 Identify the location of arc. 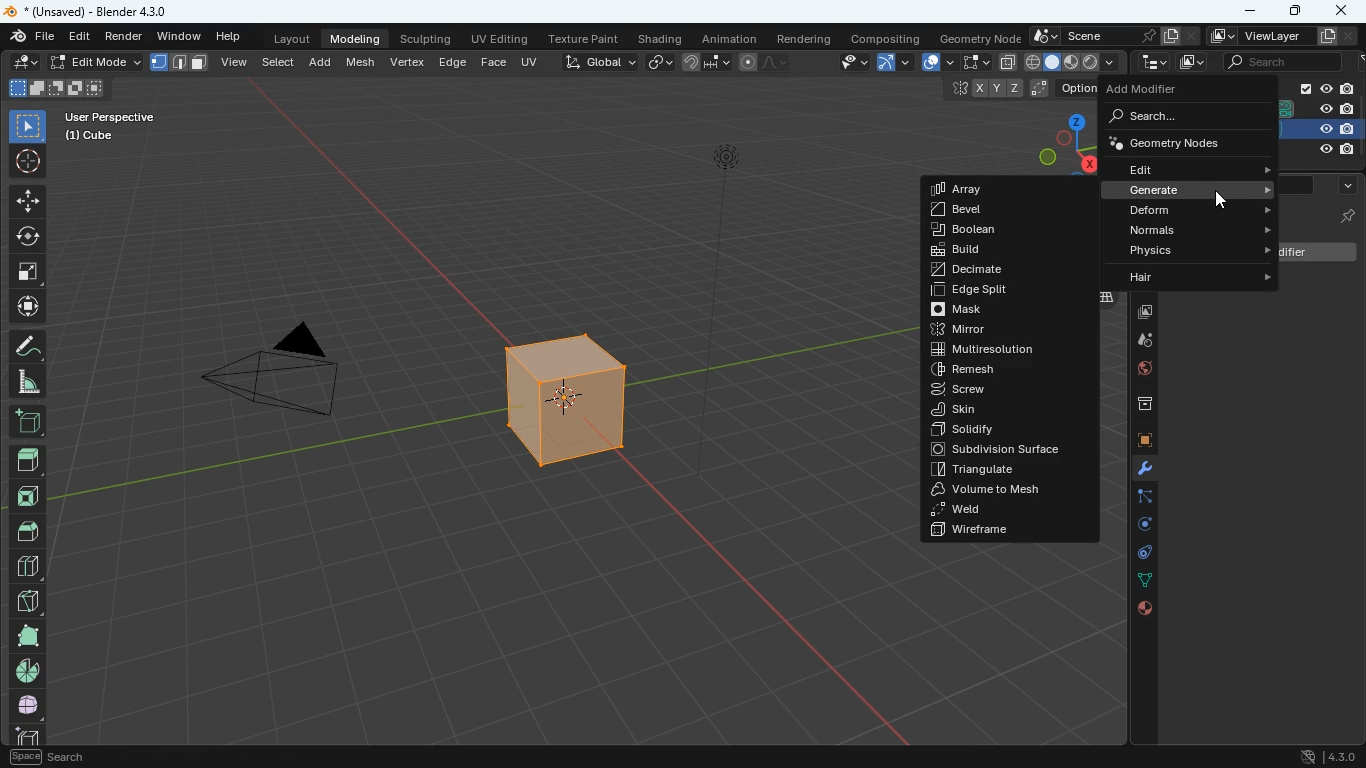
(892, 62).